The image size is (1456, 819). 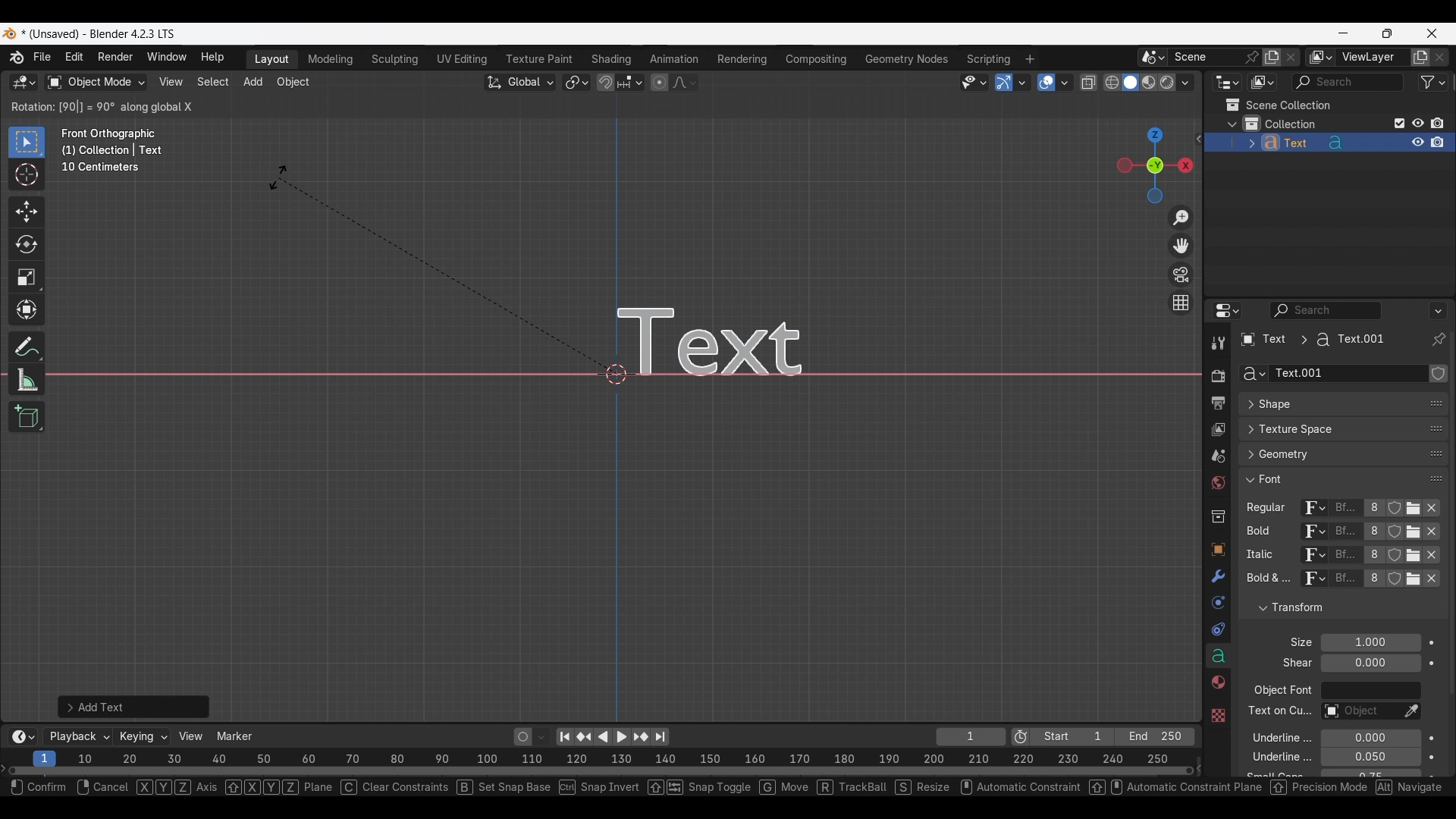 I want to click on Click to expand Texture Space, so click(x=1328, y=429).